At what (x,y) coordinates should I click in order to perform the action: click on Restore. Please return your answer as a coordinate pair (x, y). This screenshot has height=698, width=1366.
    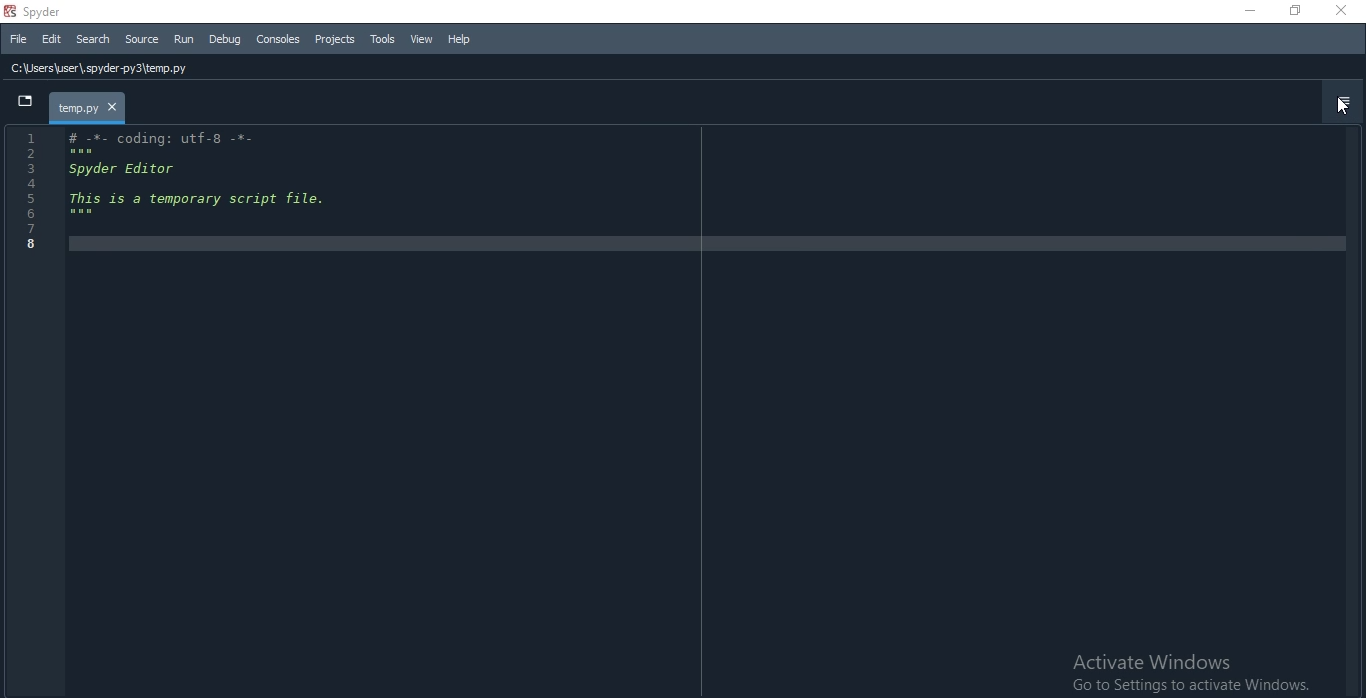
    Looking at the image, I should click on (1297, 11).